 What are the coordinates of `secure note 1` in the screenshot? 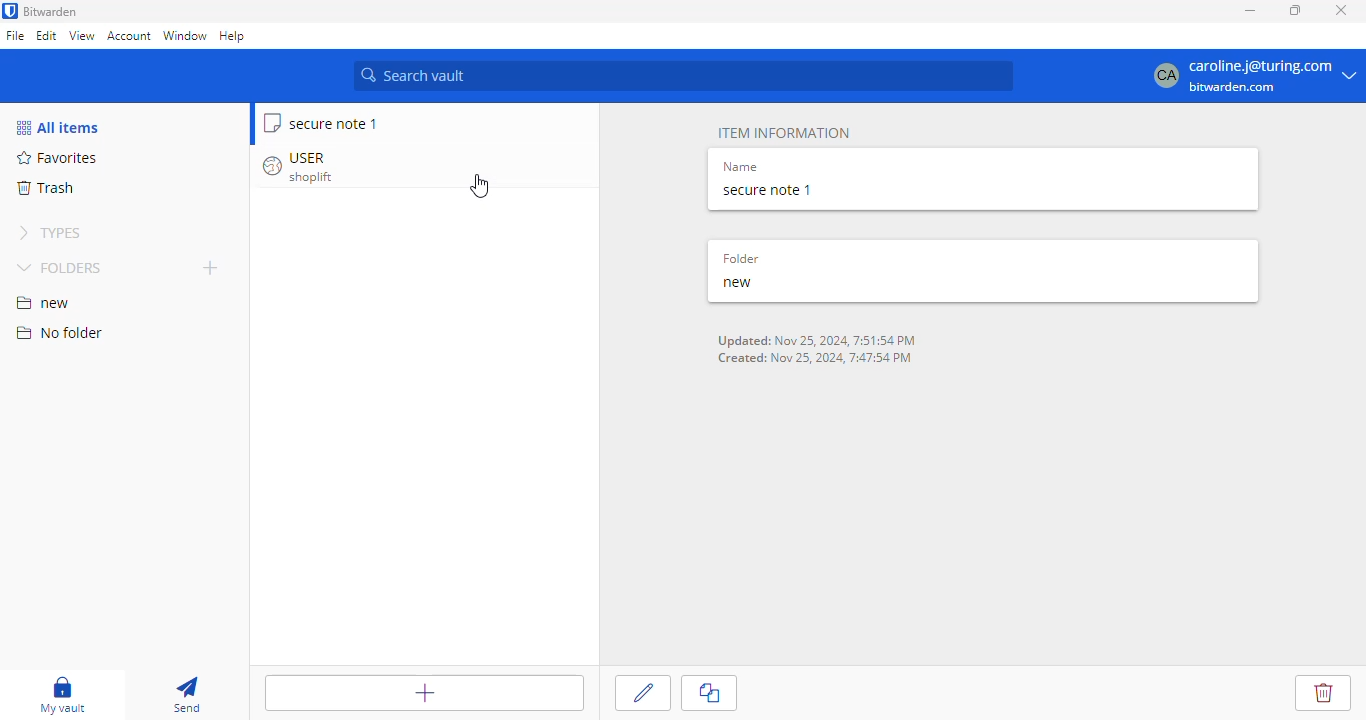 It's located at (332, 123).